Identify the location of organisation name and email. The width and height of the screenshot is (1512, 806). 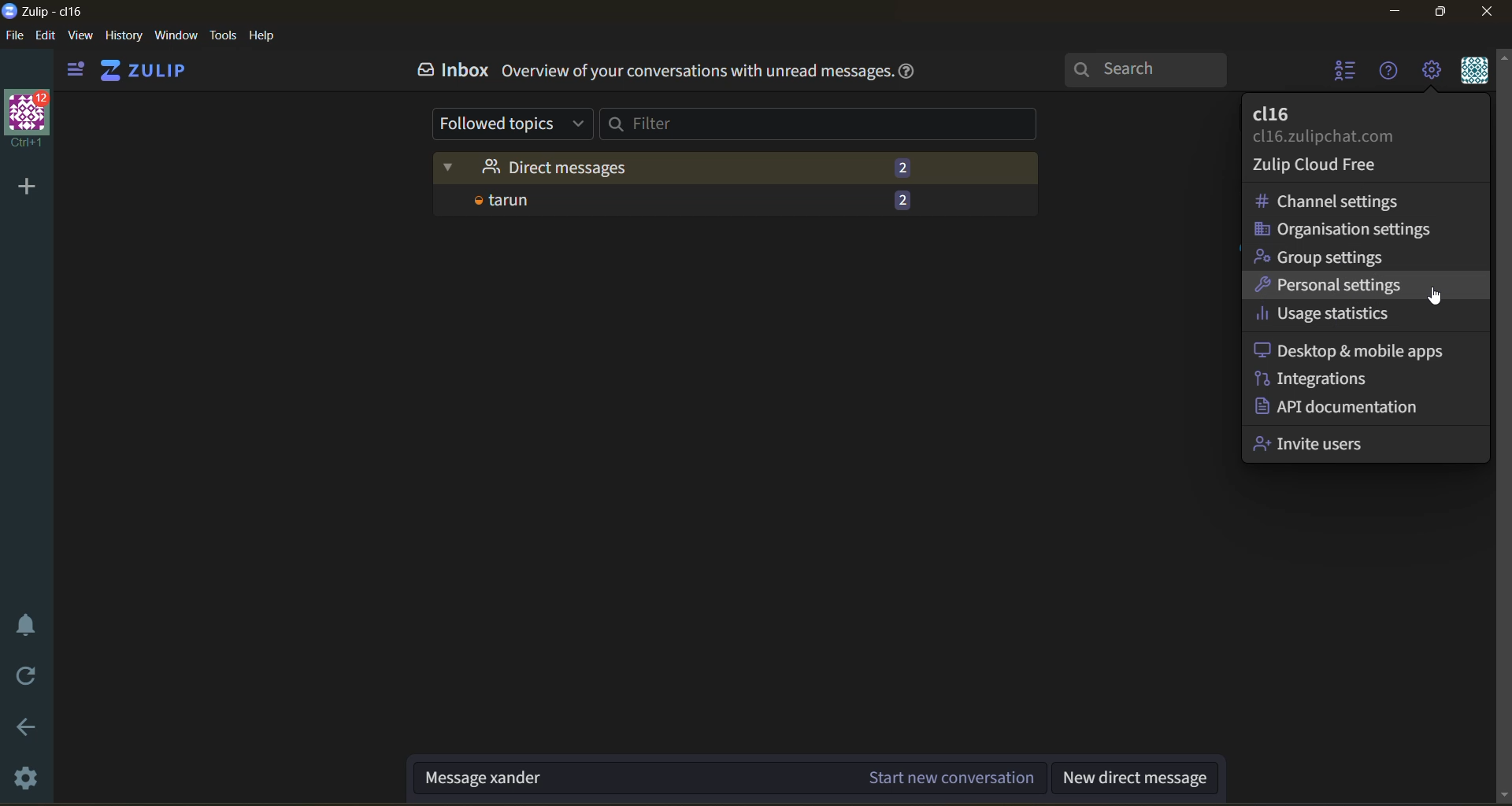
(1342, 124).